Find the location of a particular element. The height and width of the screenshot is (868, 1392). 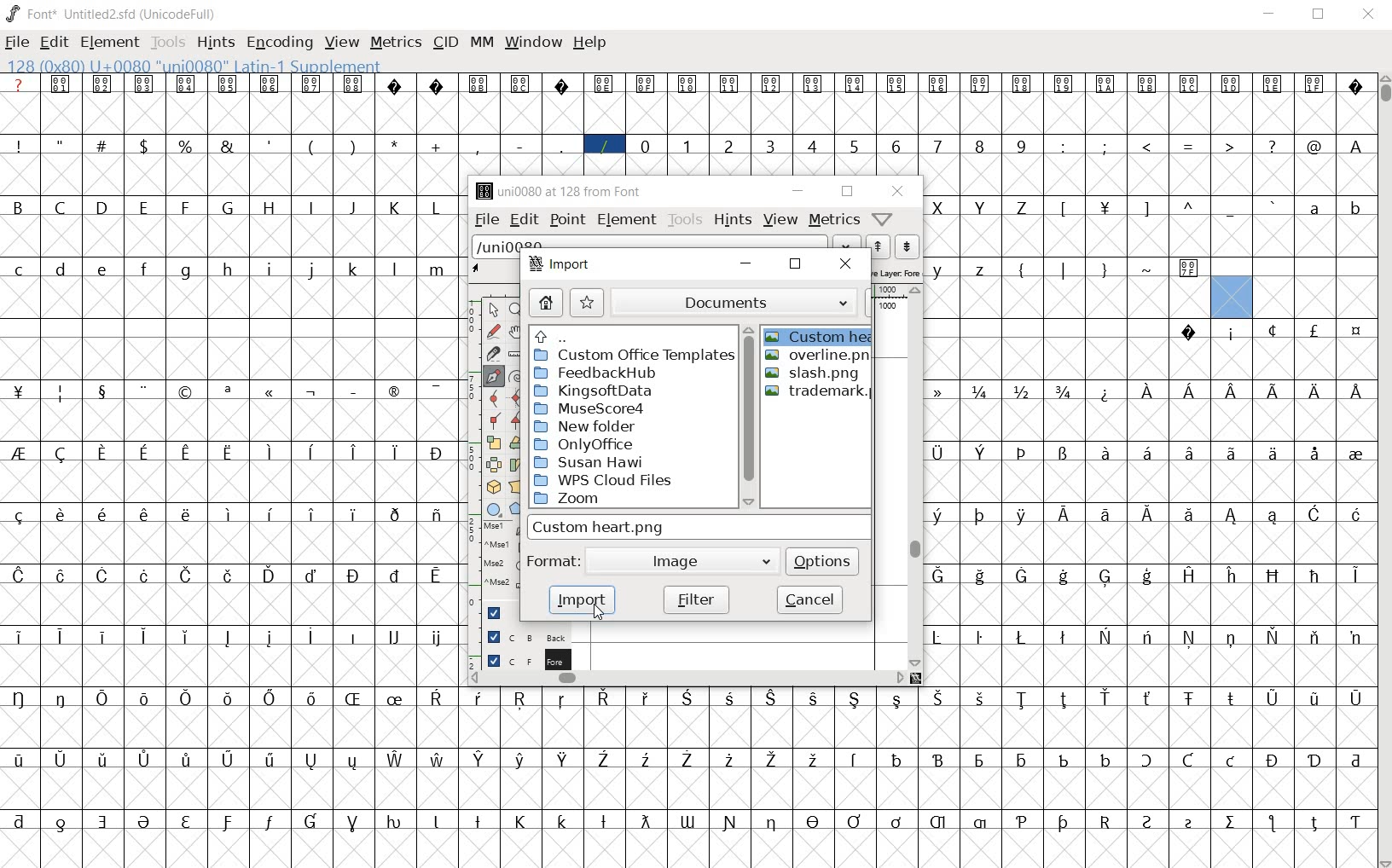

glyph is located at coordinates (60, 207).